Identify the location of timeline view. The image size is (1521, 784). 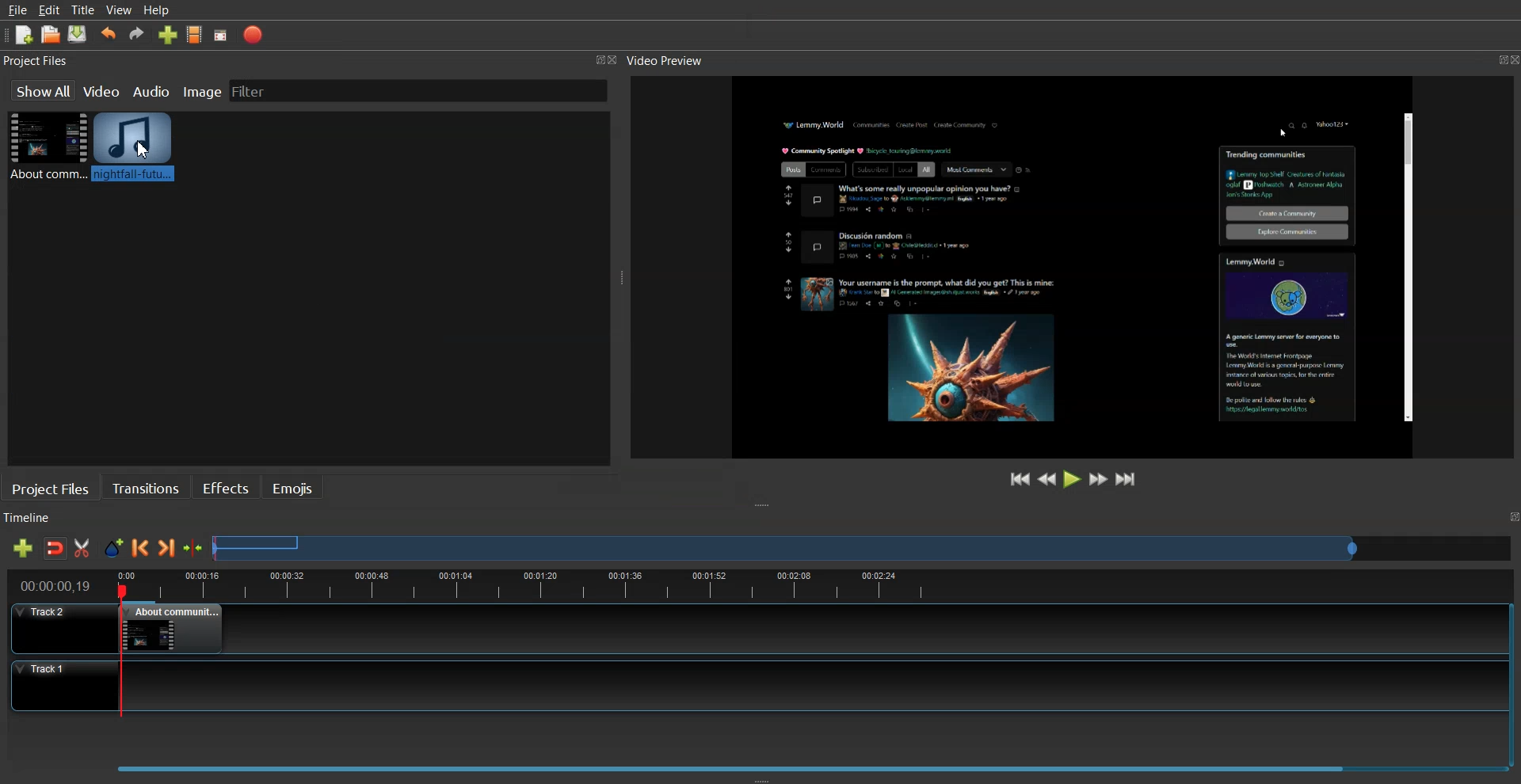
(753, 584).